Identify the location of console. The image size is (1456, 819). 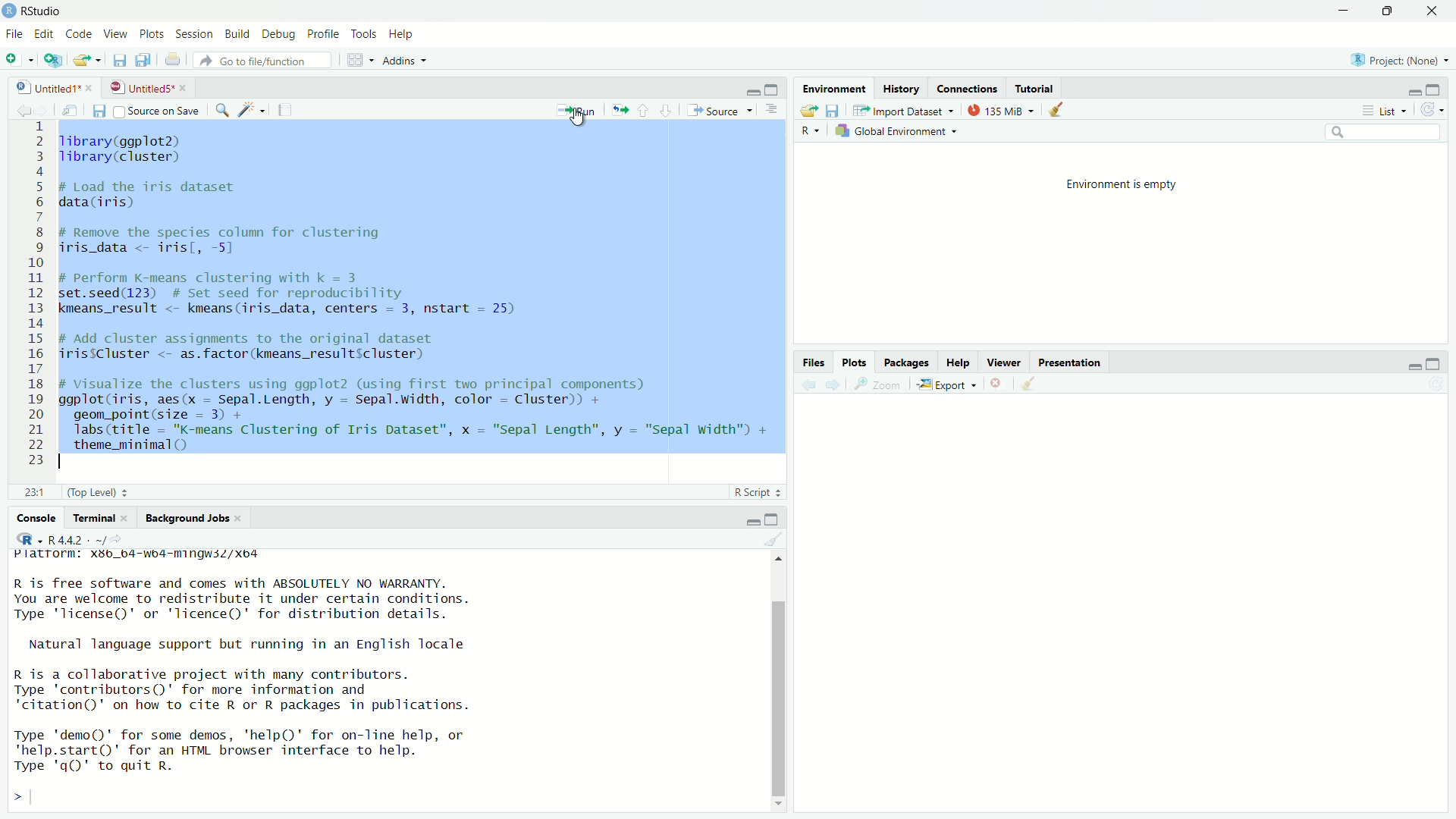
(30, 515).